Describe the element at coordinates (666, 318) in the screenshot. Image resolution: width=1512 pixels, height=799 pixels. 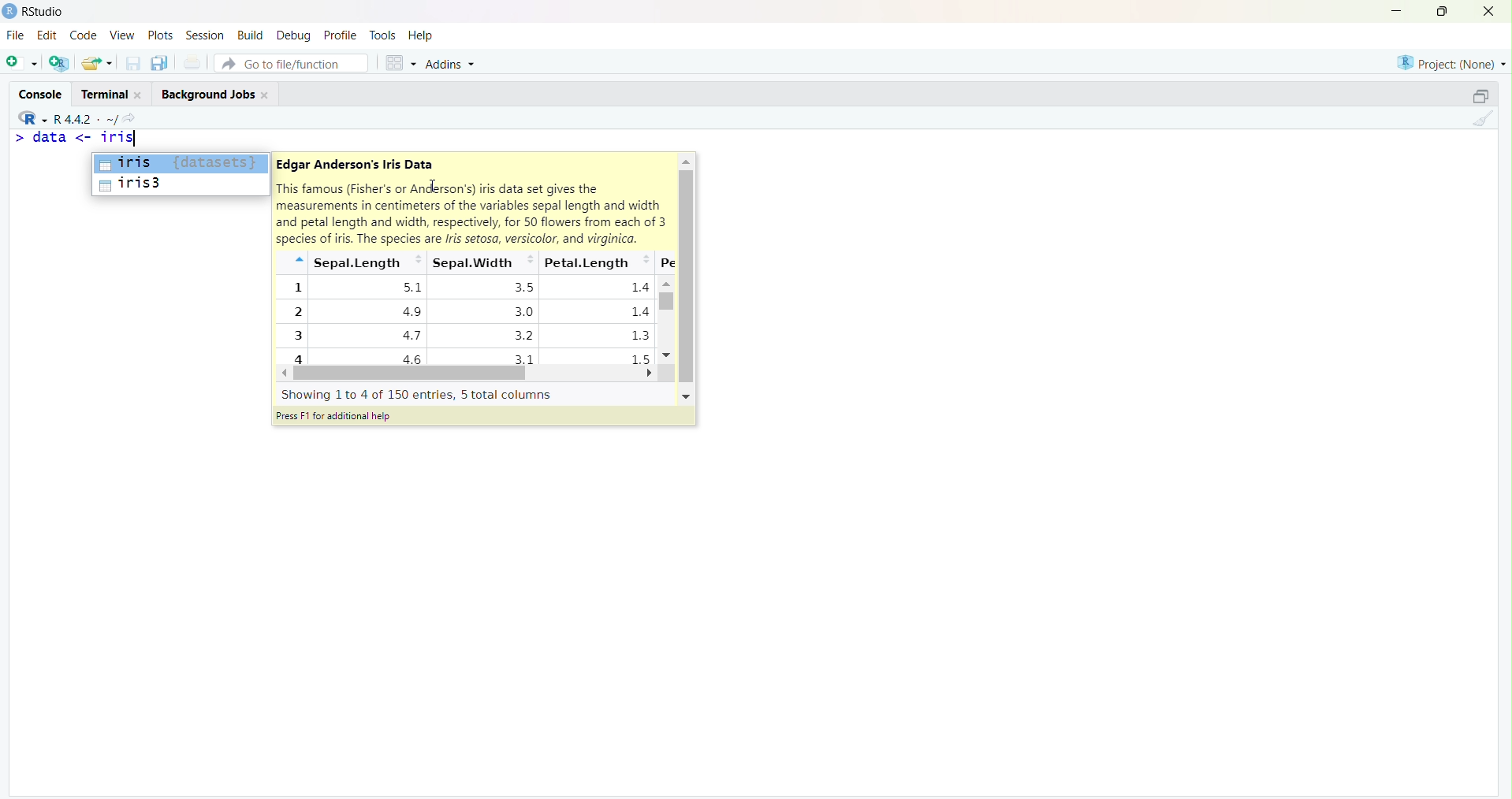
I see `Scrollbar` at that location.